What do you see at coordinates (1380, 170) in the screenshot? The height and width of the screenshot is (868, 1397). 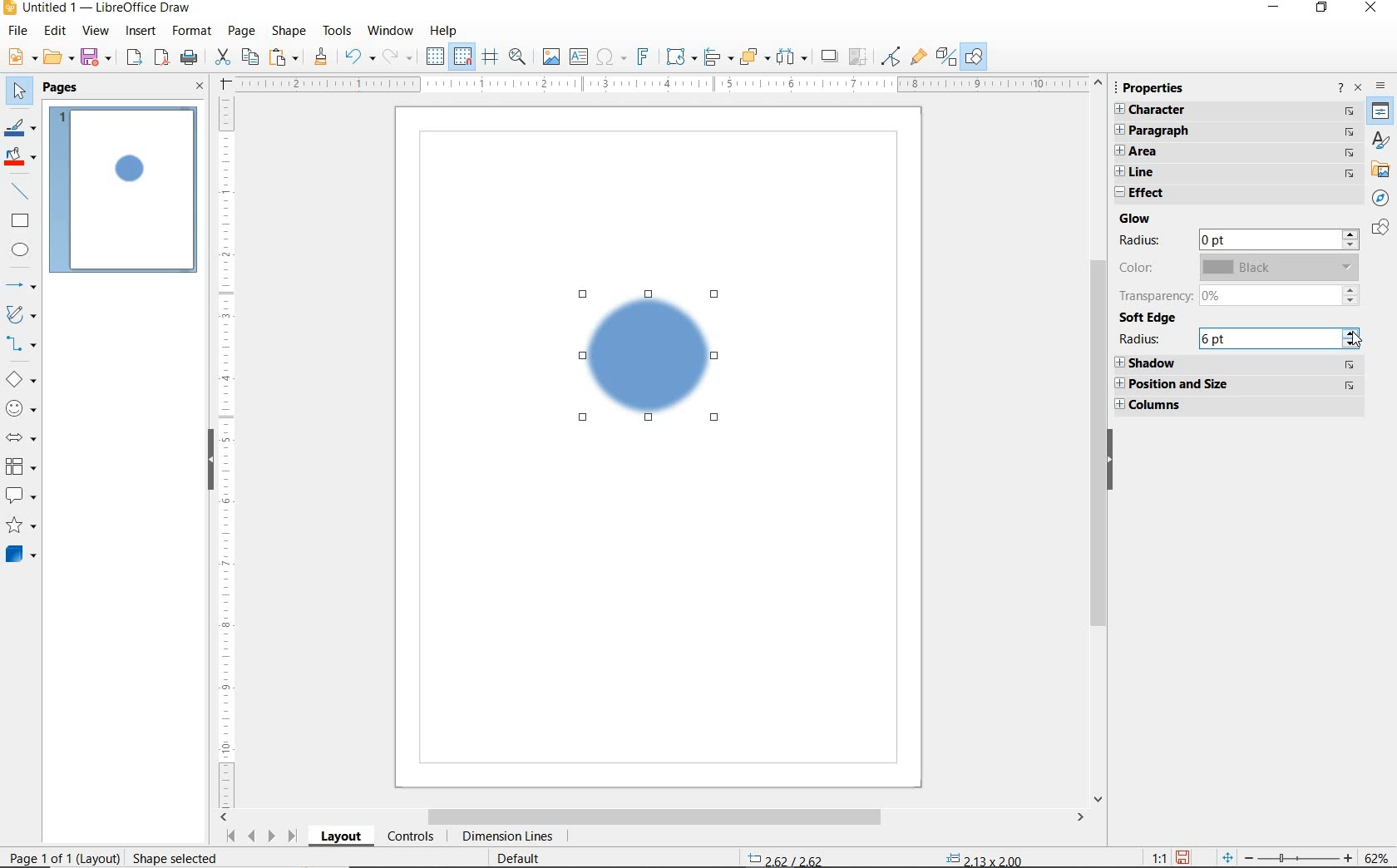 I see `Gallery` at bounding box center [1380, 170].